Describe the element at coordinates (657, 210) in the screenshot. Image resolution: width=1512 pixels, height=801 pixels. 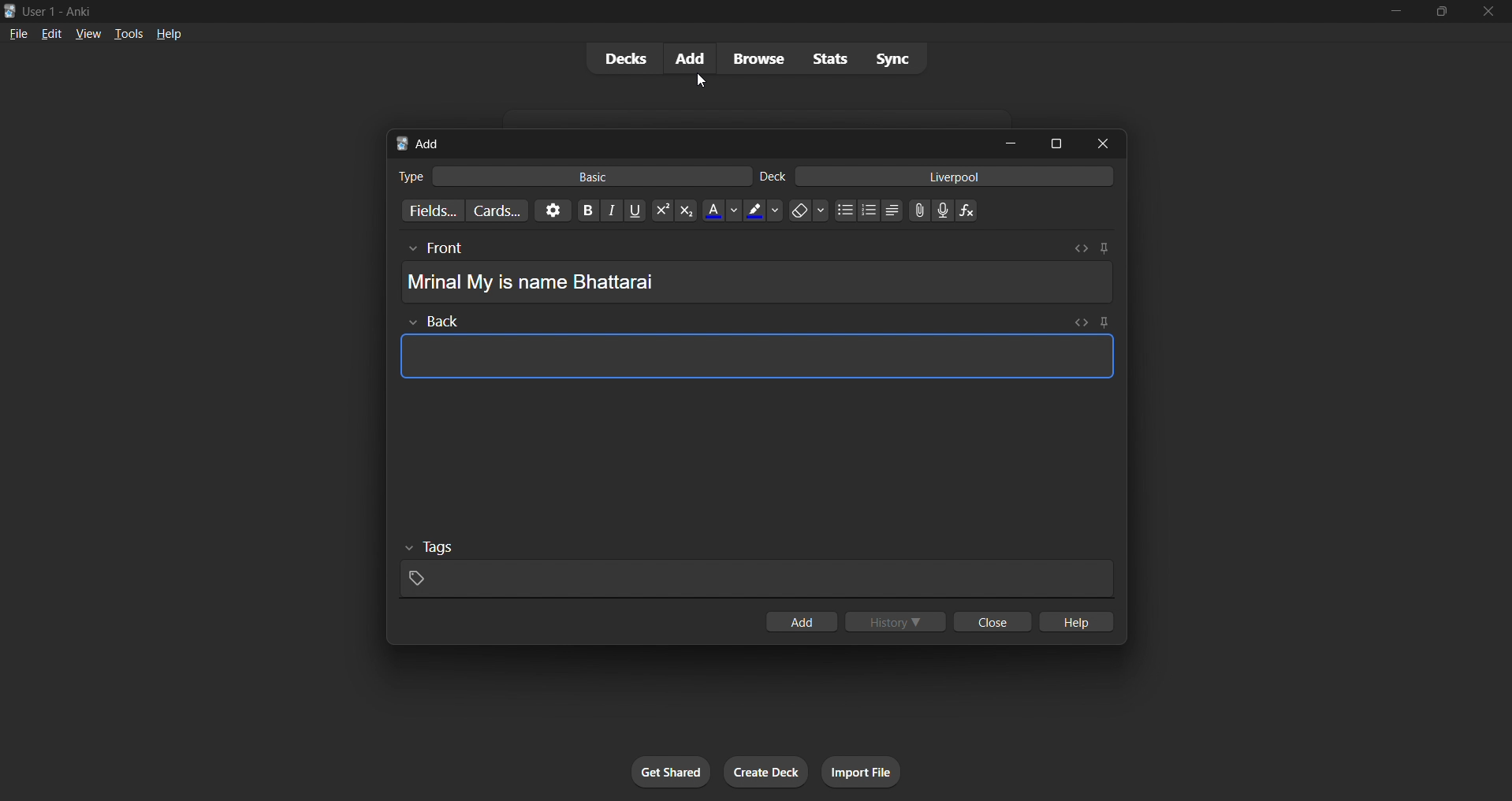
I see `super script` at that location.